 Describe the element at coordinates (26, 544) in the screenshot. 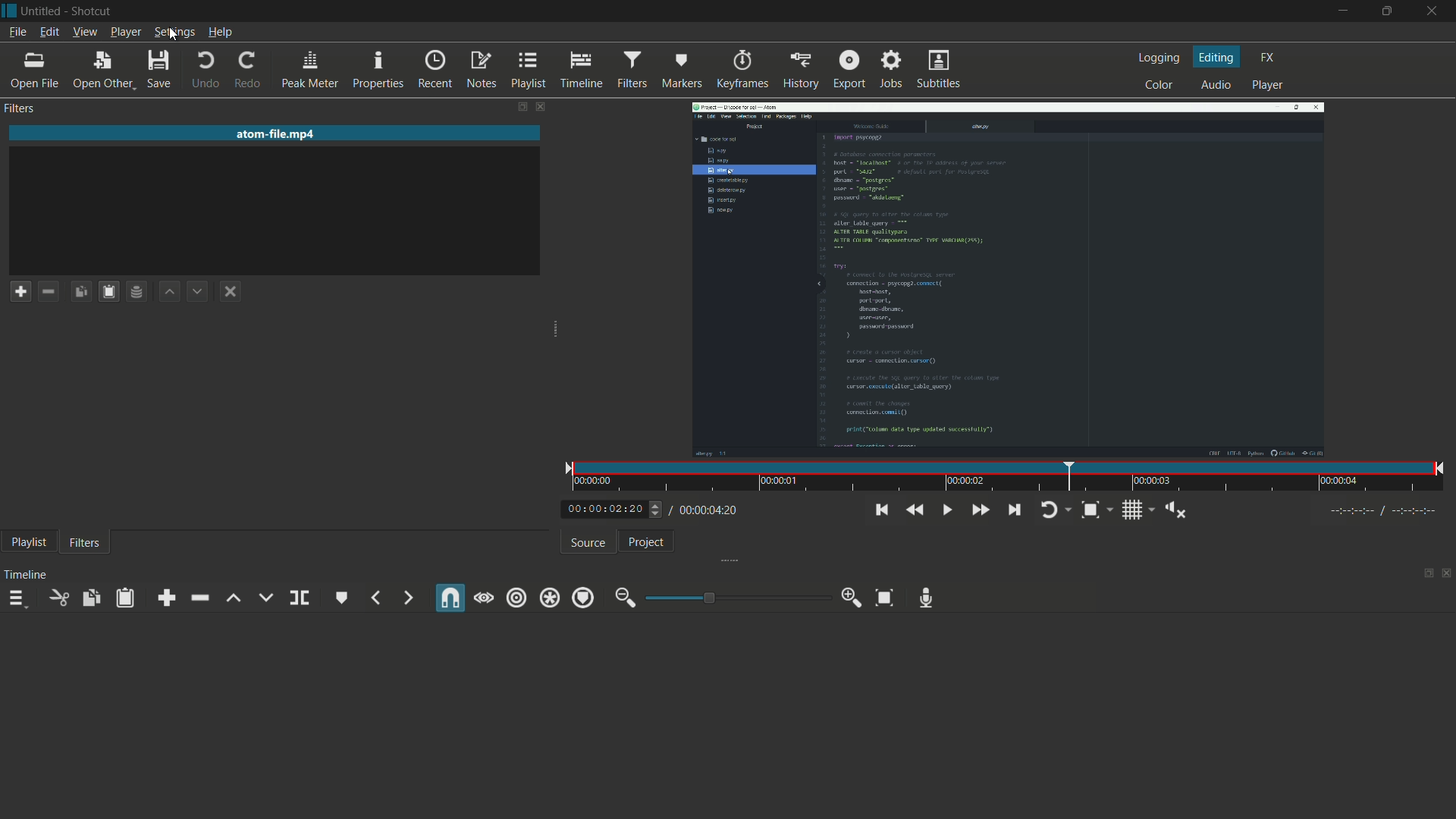

I see `playlist` at that location.